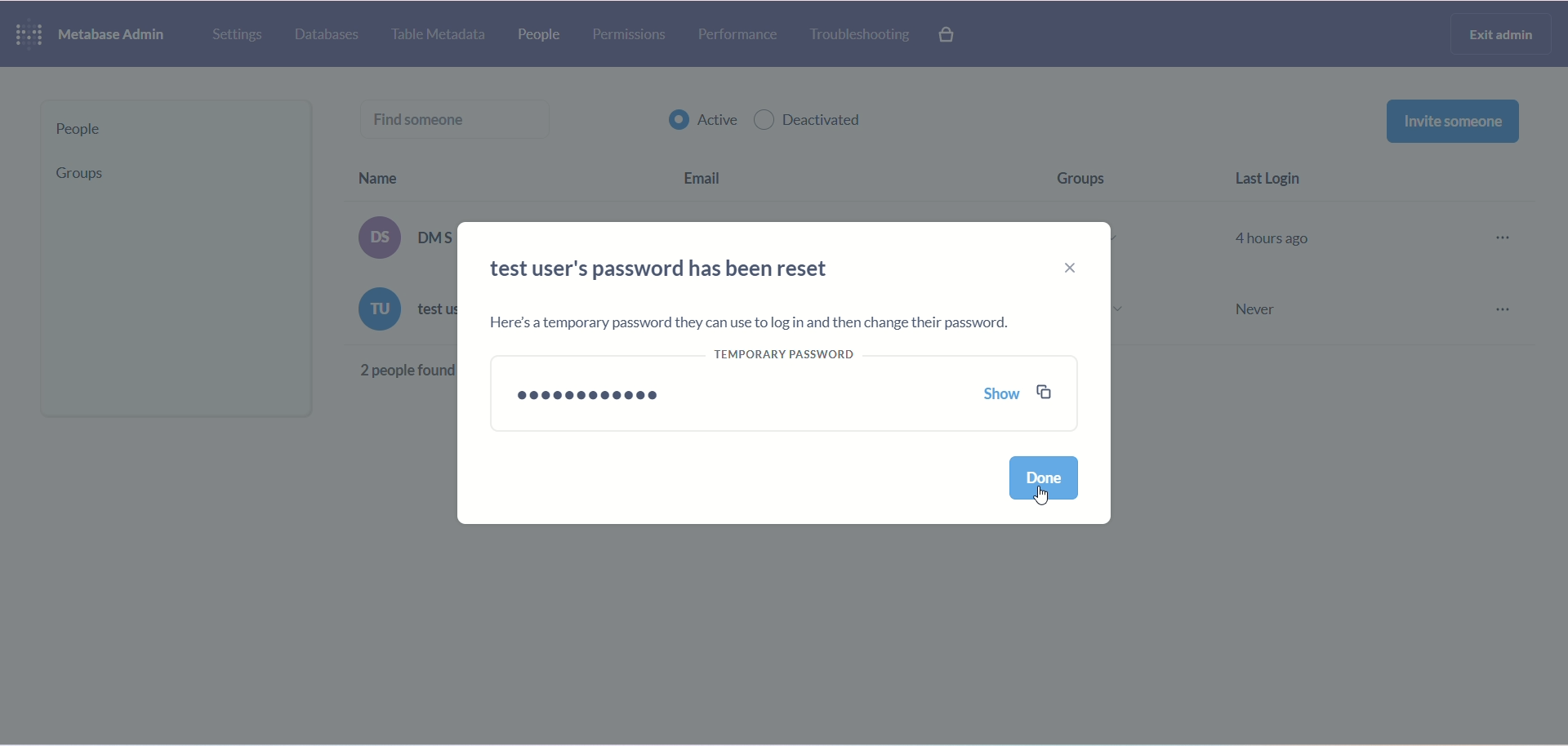 This screenshot has width=1568, height=746. Describe the element at coordinates (596, 390) in the screenshot. I see `password` at that location.